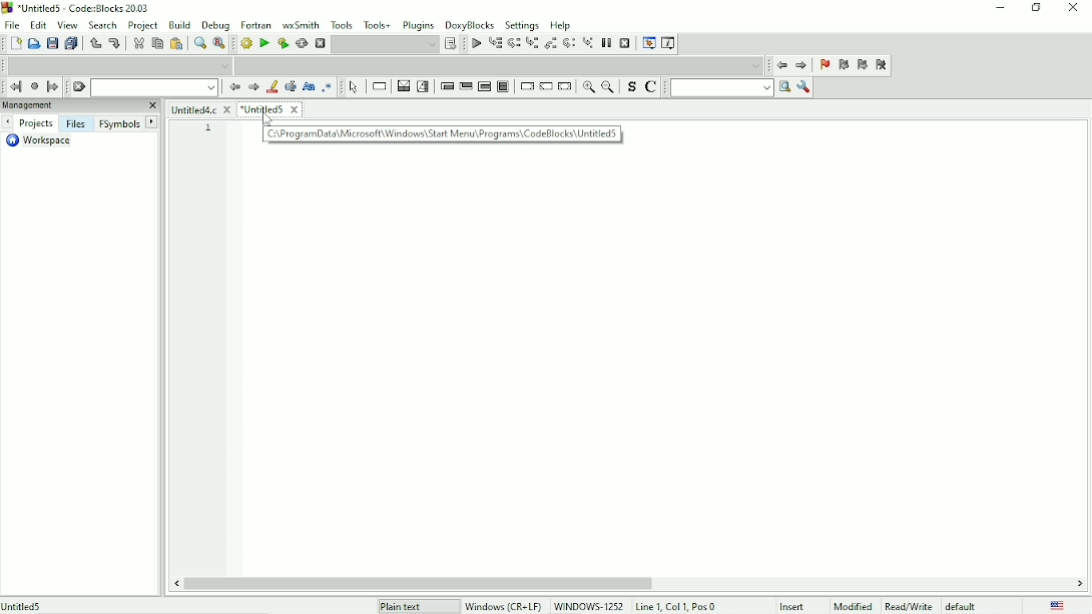  What do you see at coordinates (395, 606) in the screenshot?
I see `C/C++` at bounding box center [395, 606].